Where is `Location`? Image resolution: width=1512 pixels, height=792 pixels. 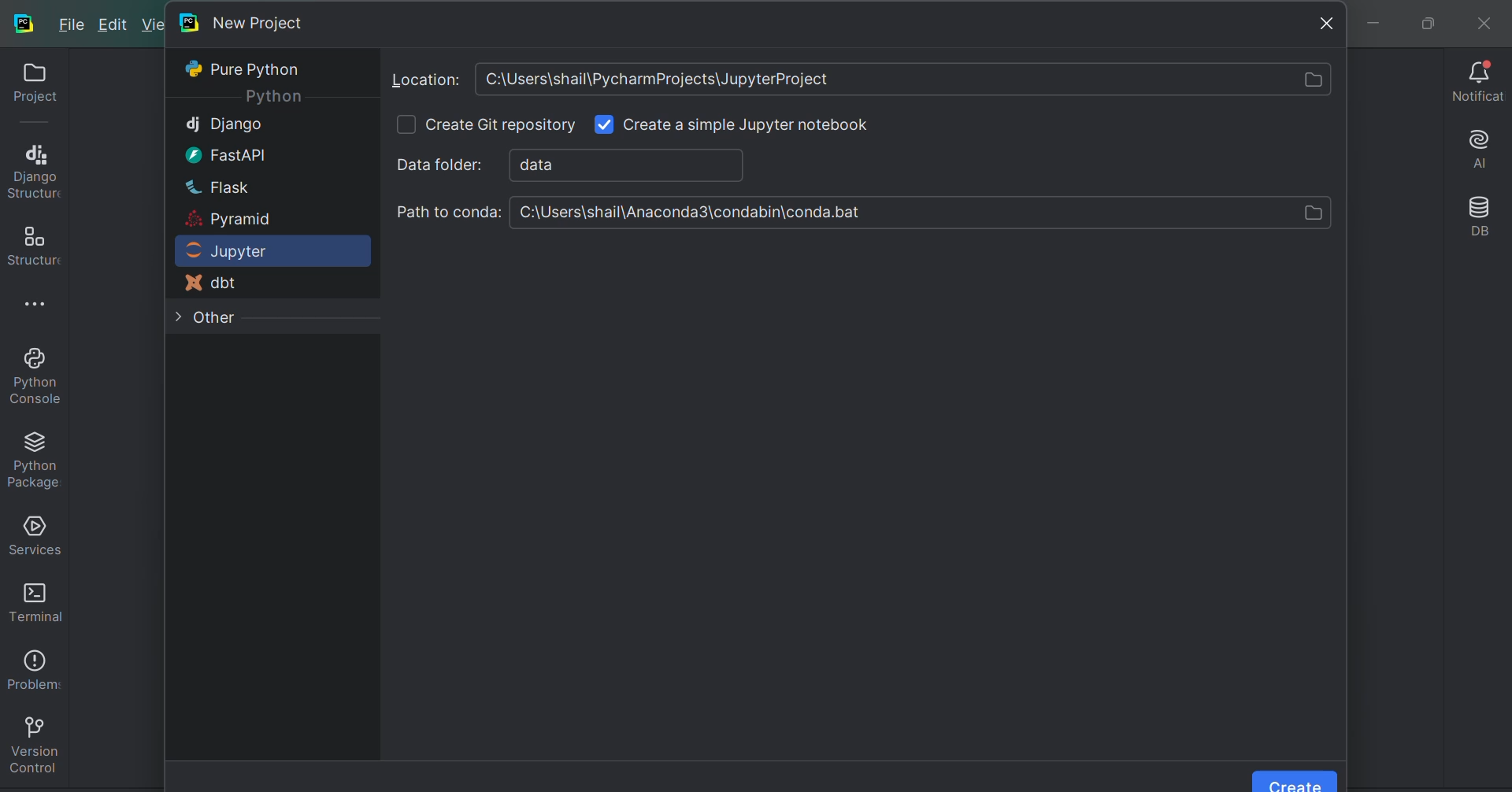
Location is located at coordinates (857, 80).